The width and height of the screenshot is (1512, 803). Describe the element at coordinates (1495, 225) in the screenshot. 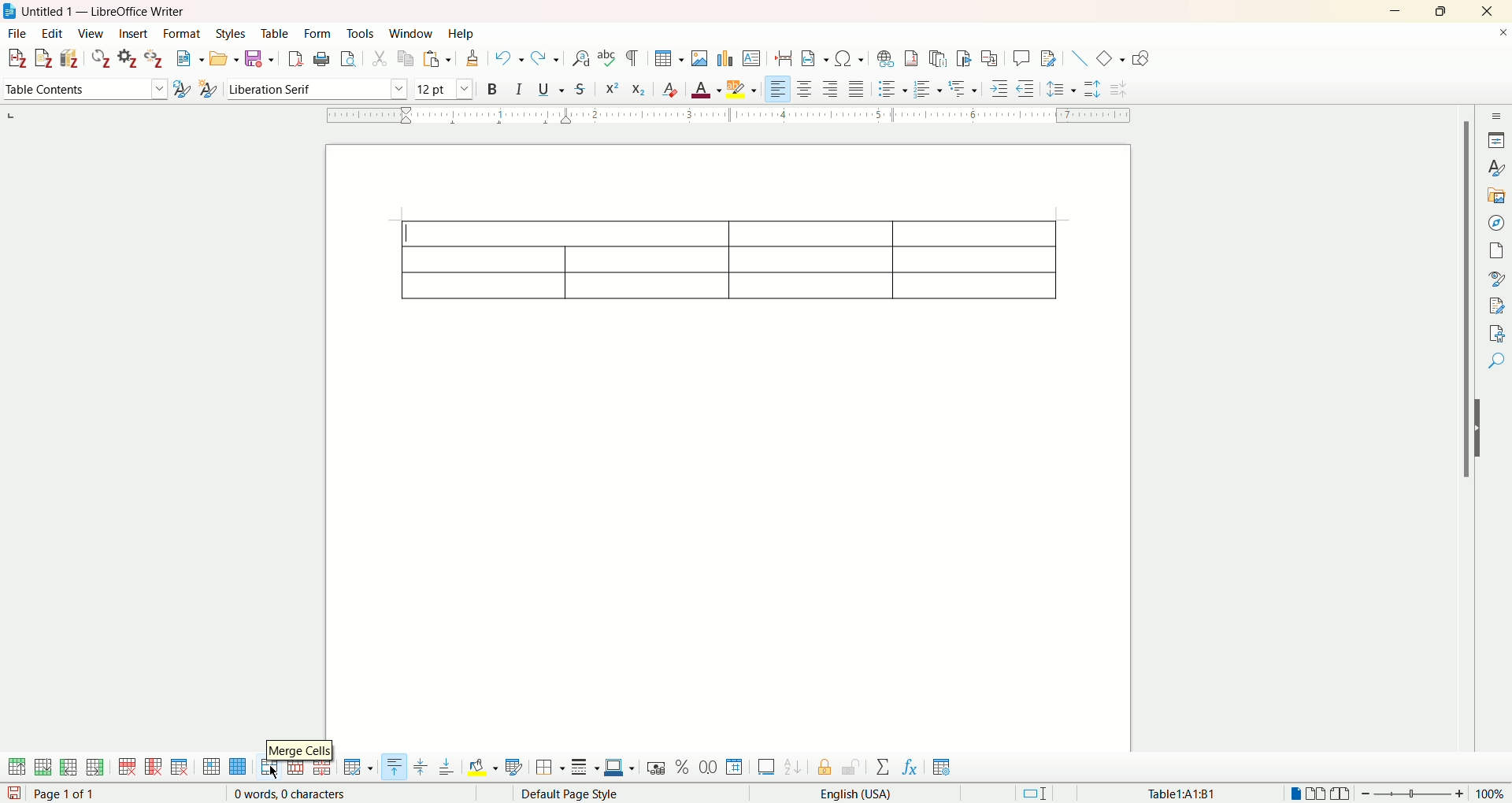

I see `navigator` at that location.